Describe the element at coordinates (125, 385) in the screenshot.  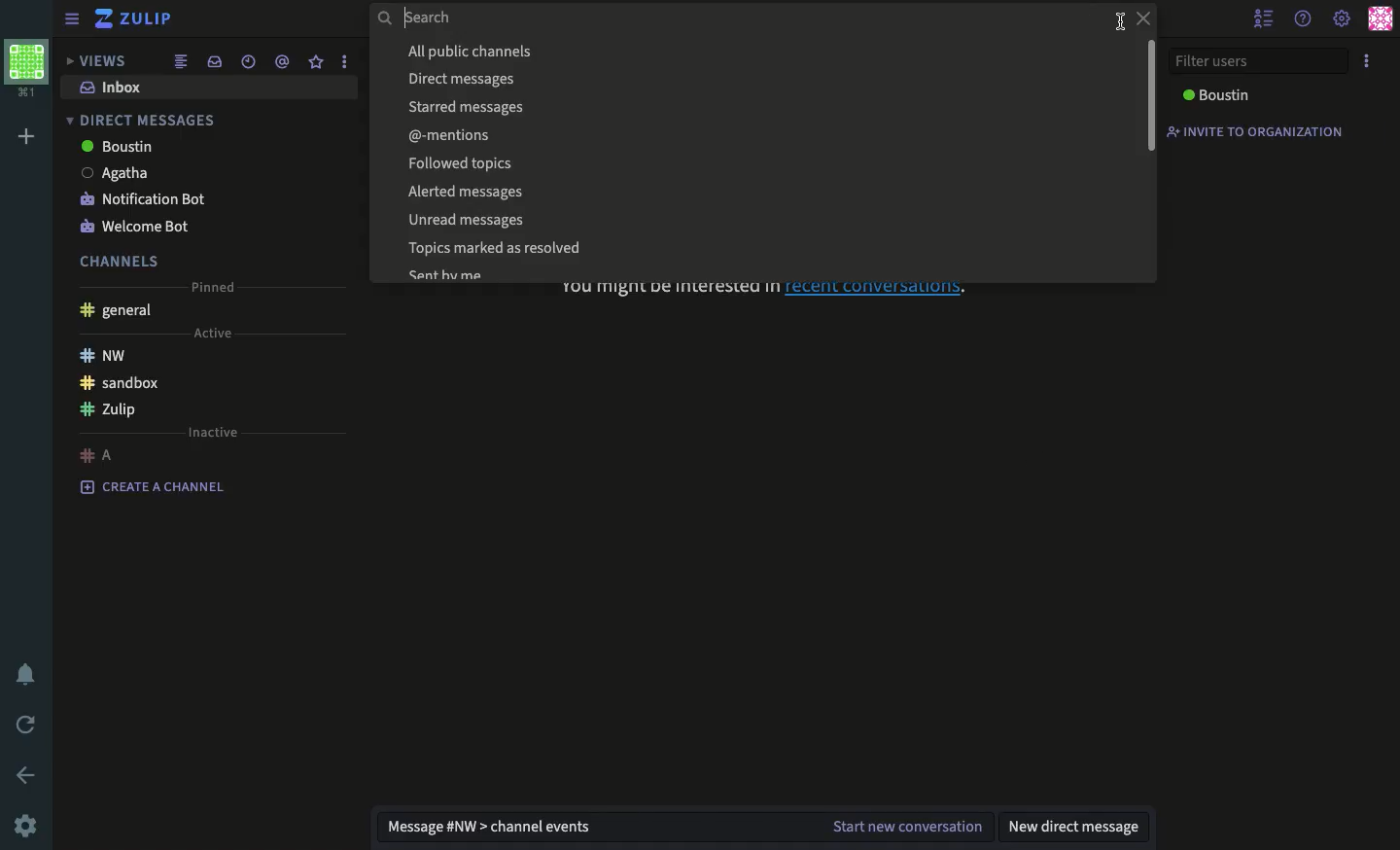
I see `sandbox` at that location.